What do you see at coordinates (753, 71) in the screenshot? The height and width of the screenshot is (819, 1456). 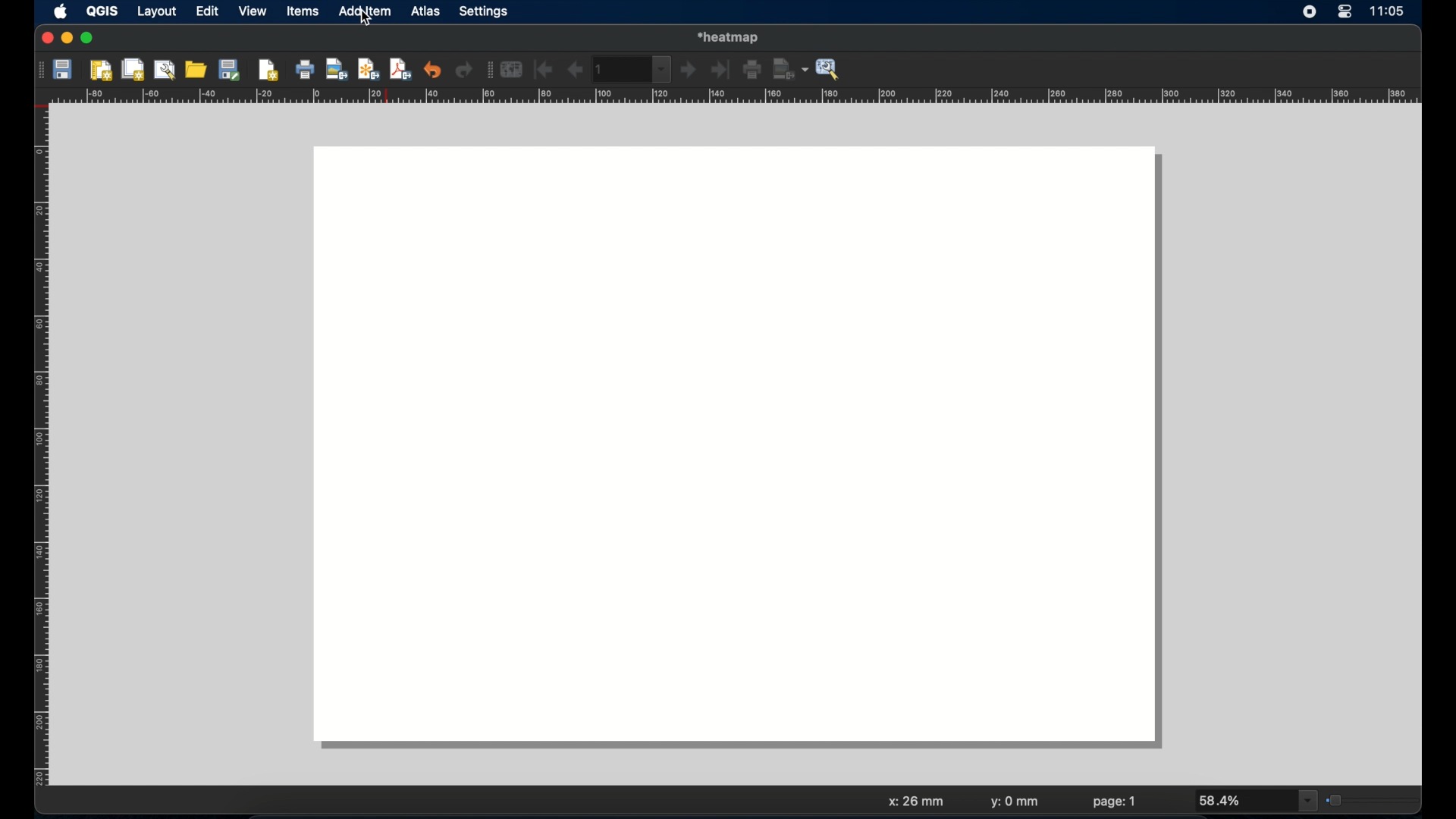 I see `print atlas` at bounding box center [753, 71].